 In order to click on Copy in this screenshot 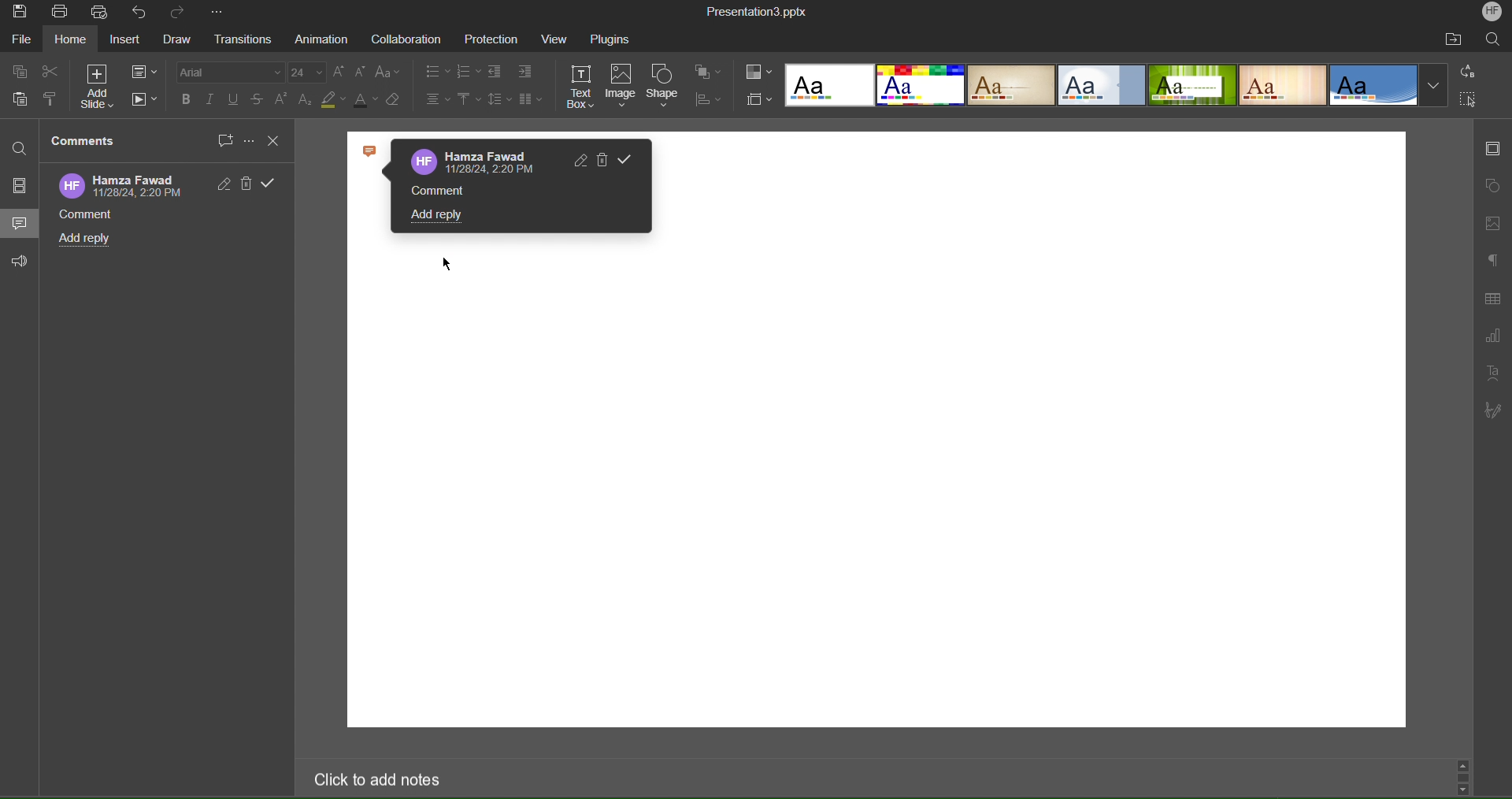, I will do `click(21, 71)`.